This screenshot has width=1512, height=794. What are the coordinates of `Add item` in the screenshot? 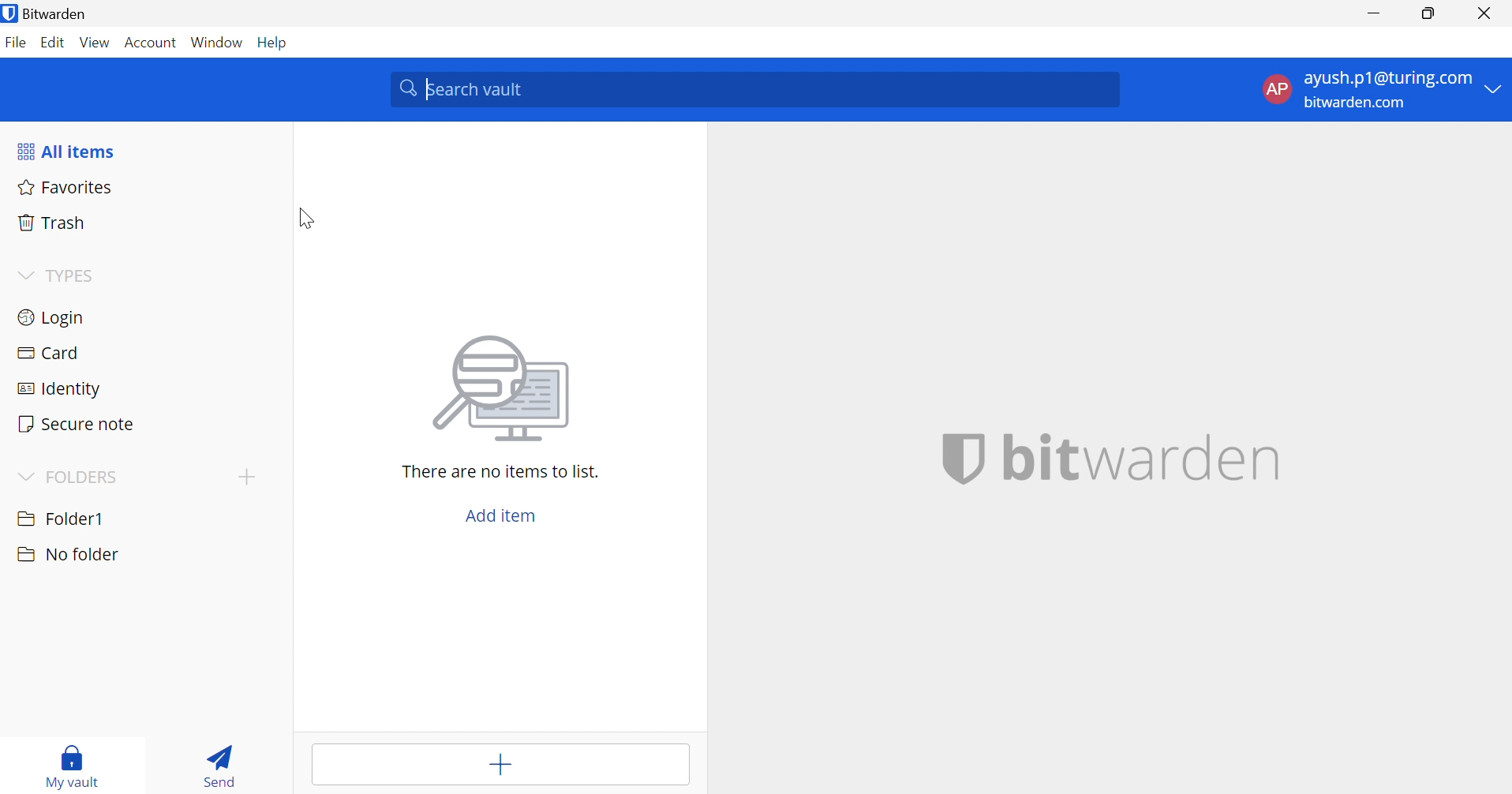 It's located at (500, 516).